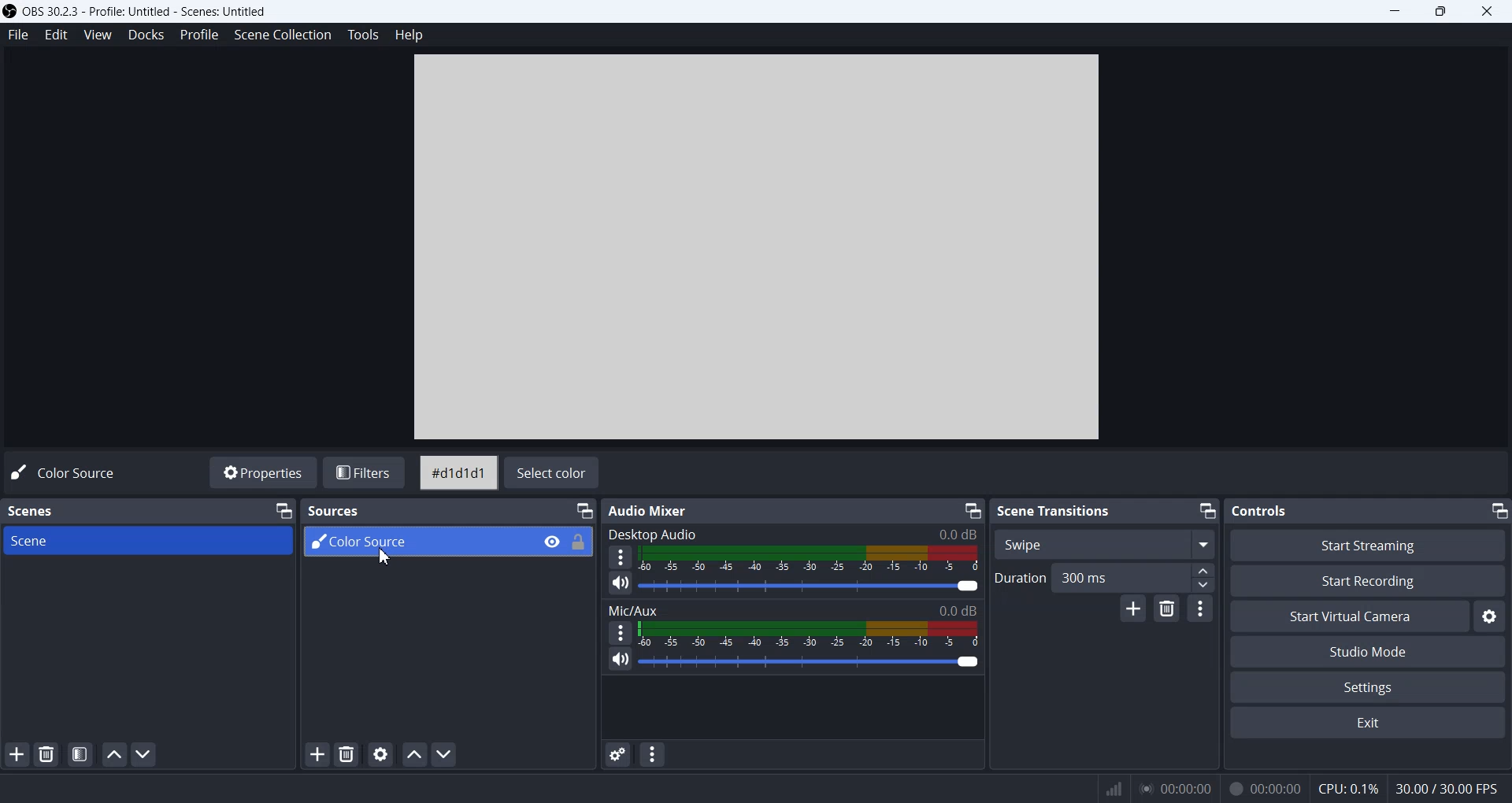  I want to click on Settings, so click(1492, 616).